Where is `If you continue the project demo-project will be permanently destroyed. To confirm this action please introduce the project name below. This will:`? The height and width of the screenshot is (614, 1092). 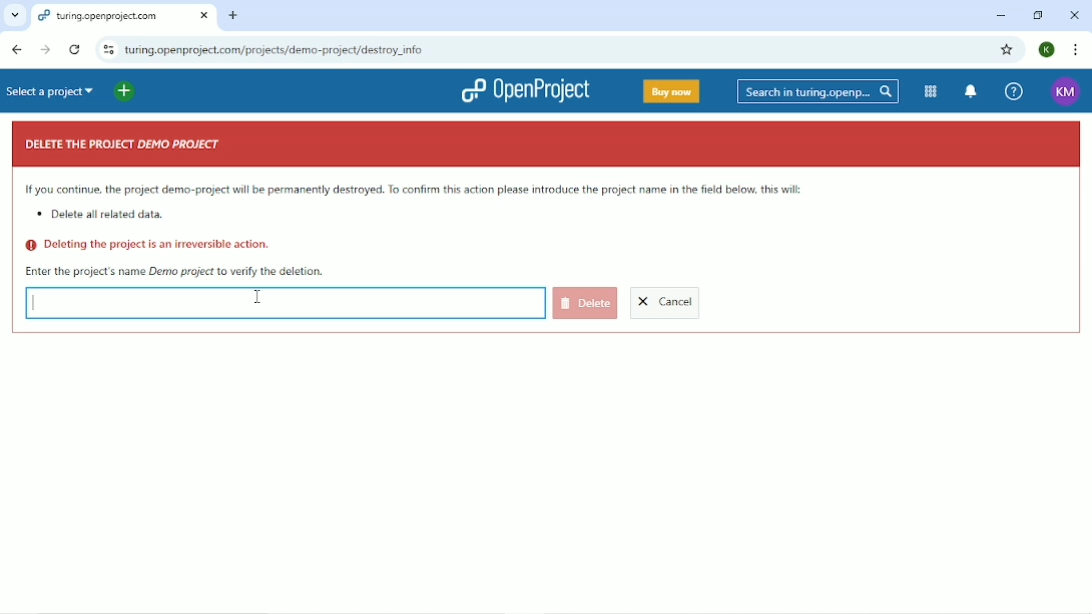
If you continue the project demo-project will be permanently destroyed. To confirm this action please introduce the project name below. This will: is located at coordinates (416, 190).